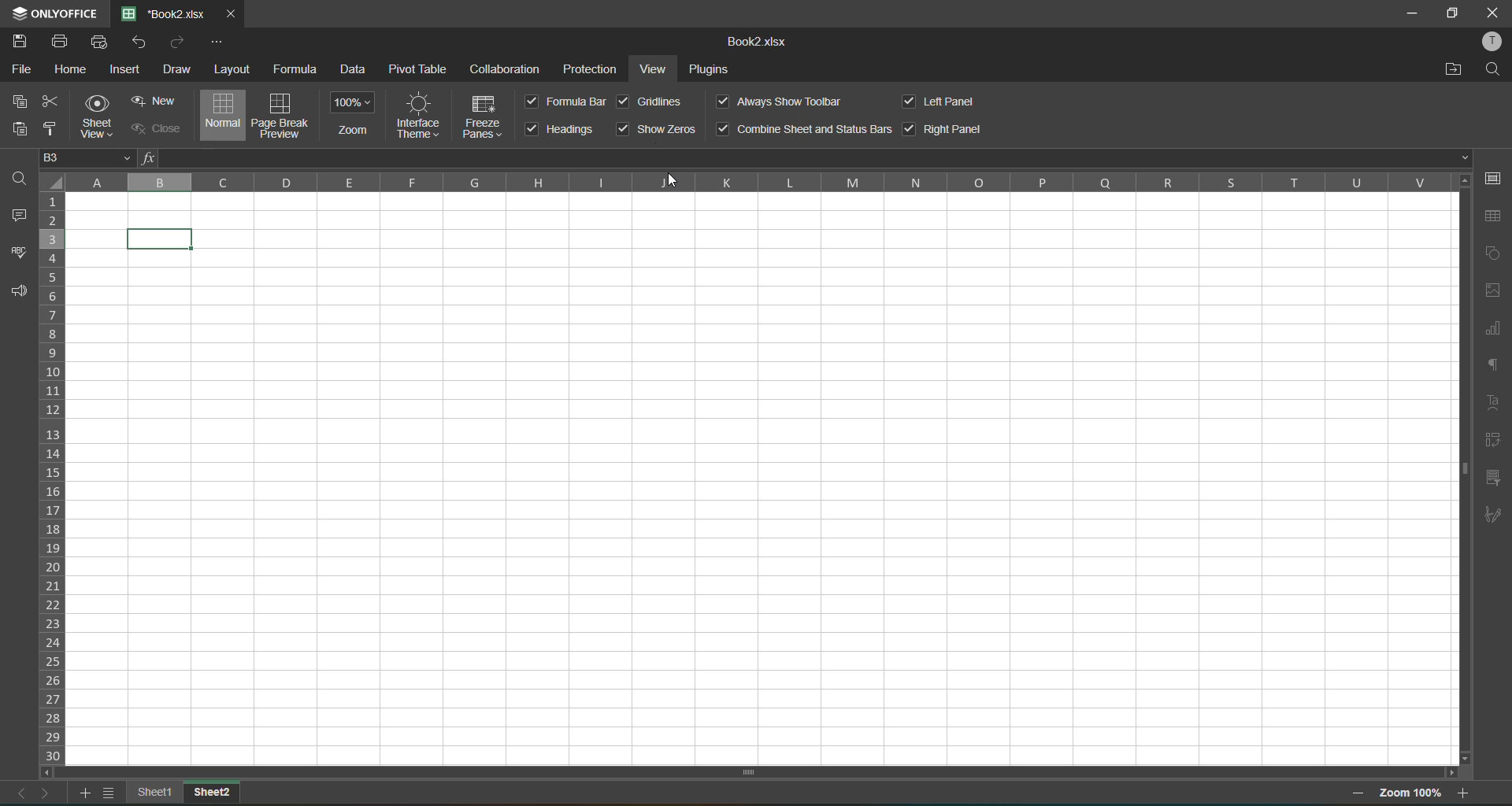 The image size is (1512, 806). Describe the element at coordinates (218, 43) in the screenshot. I see `customize quick access toolbar` at that location.